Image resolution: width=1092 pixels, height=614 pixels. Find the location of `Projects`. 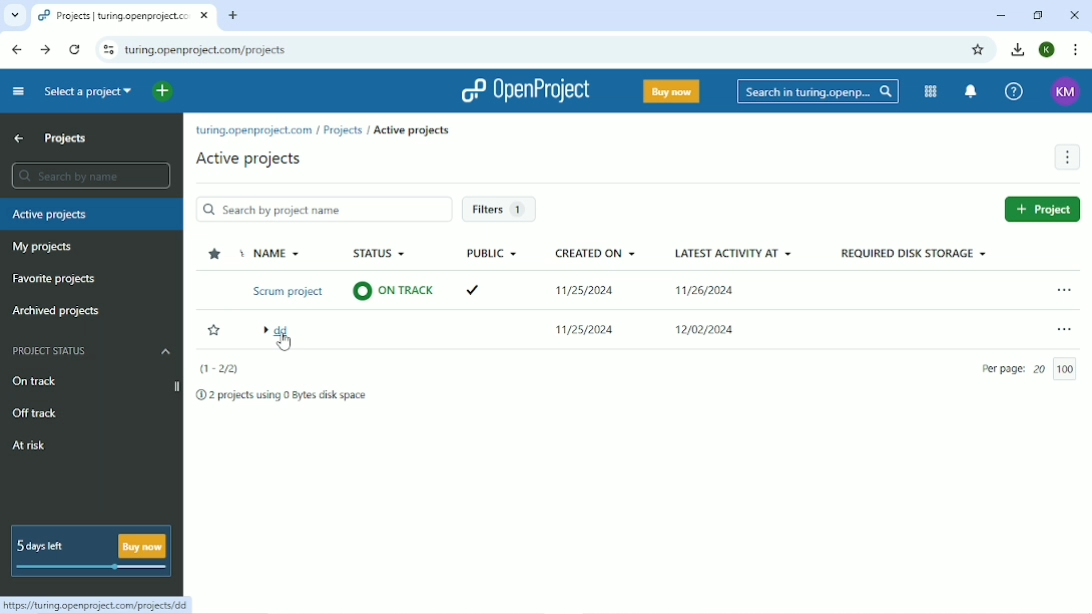

Projects is located at coordinates (343, 131).